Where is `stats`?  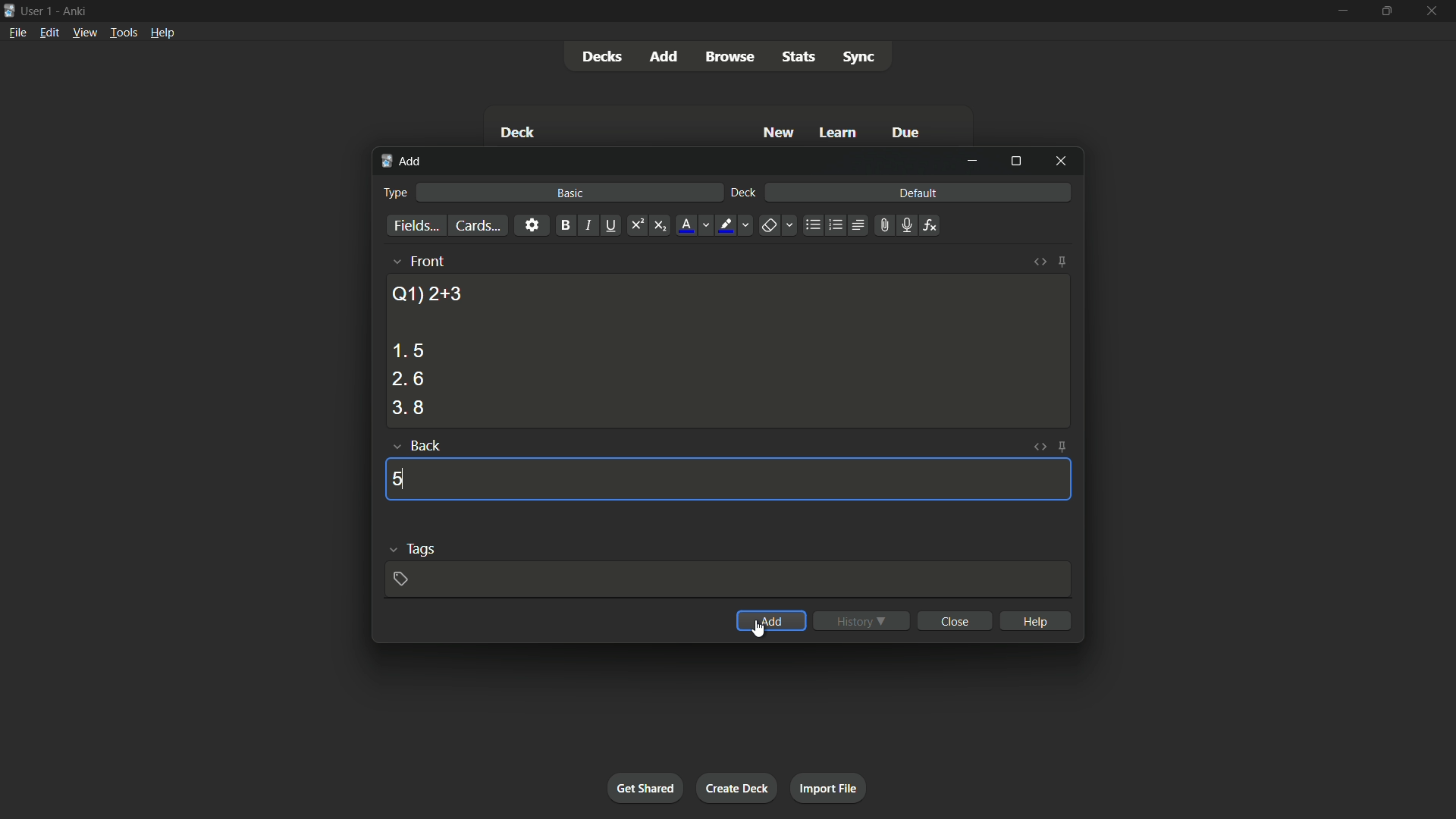 stats is located at coordinates (800, 57).